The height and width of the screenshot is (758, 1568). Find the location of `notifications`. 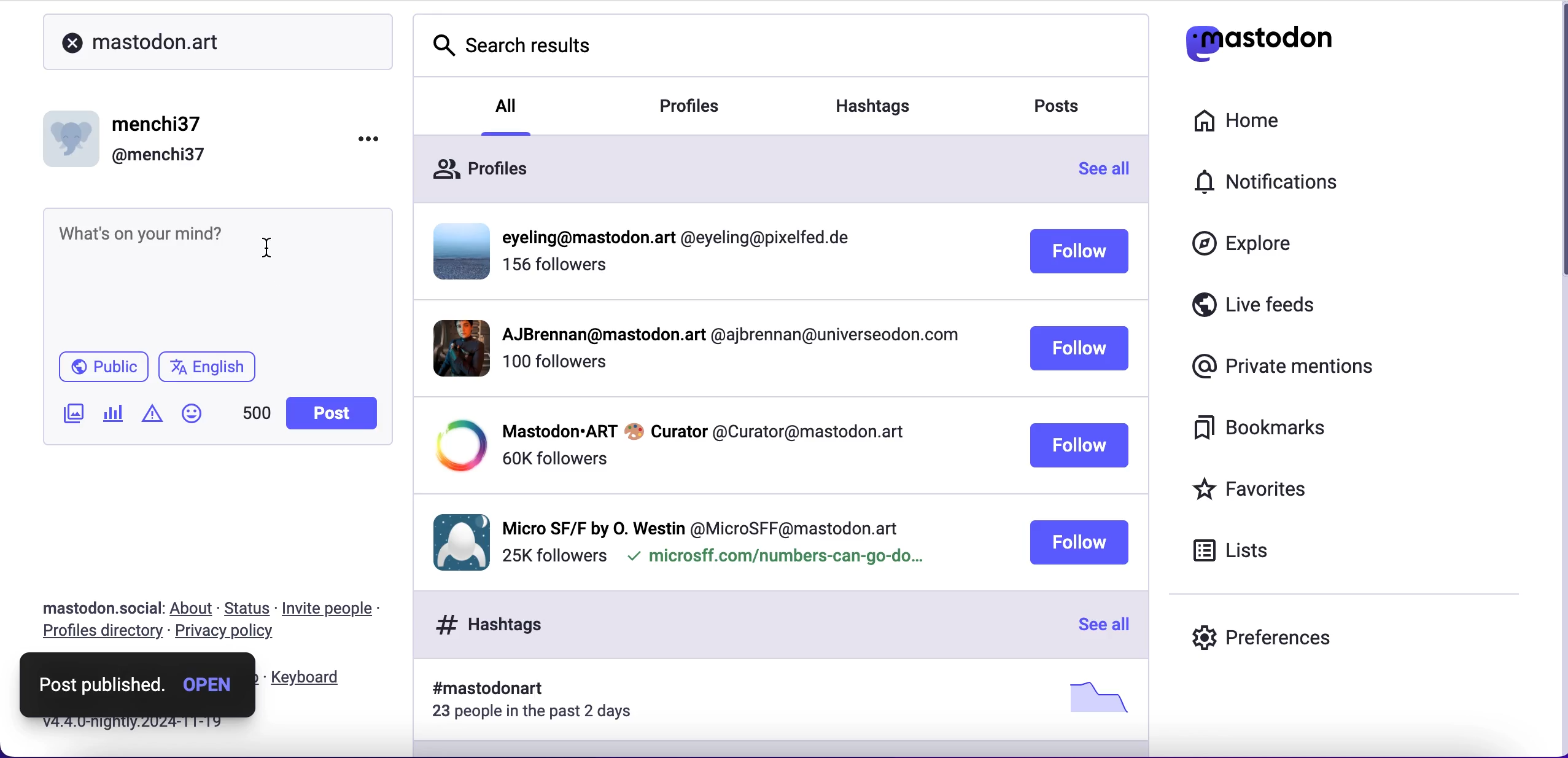

notifications is located at coordinates (1268, 186).